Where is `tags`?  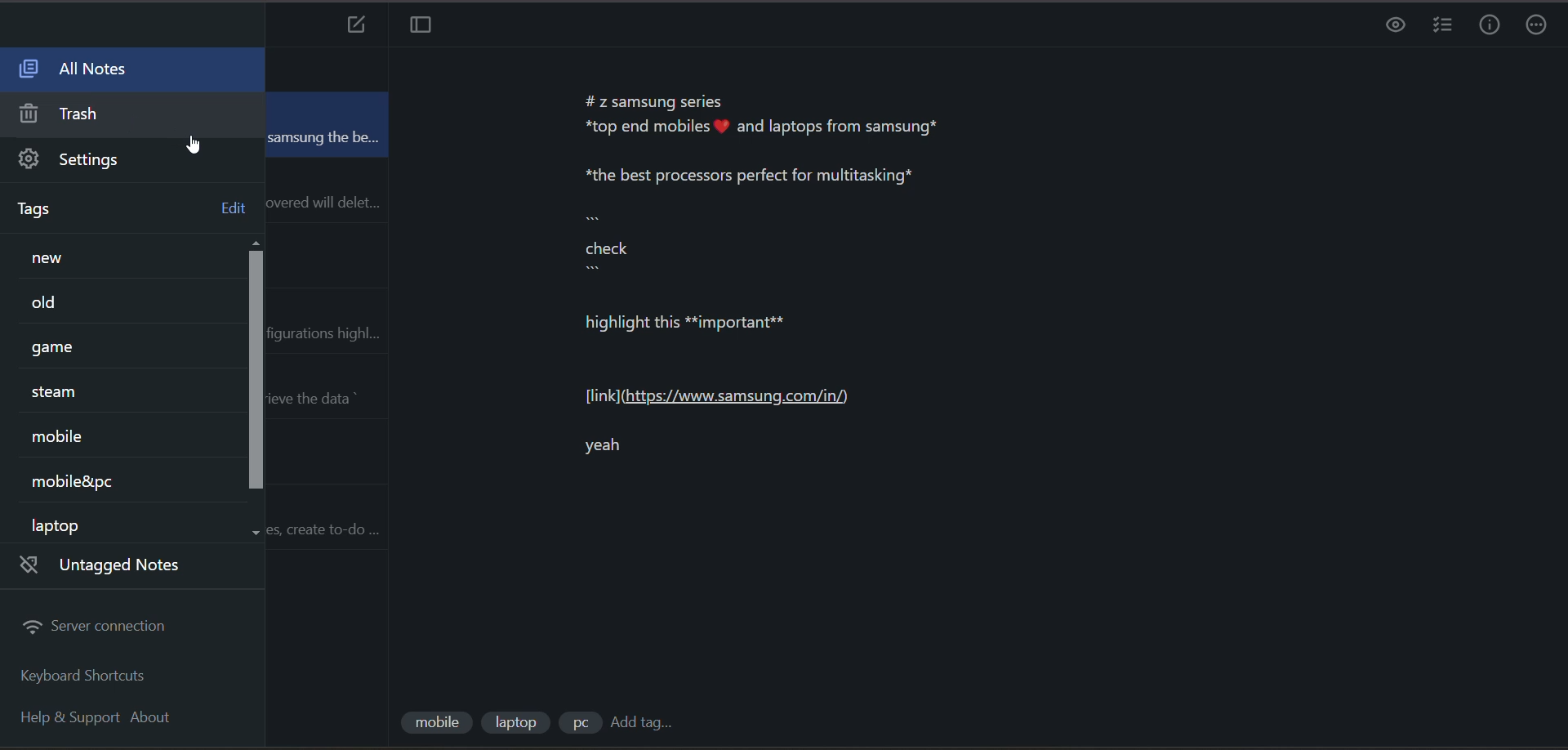
tags is located at coordinates (52, 209).